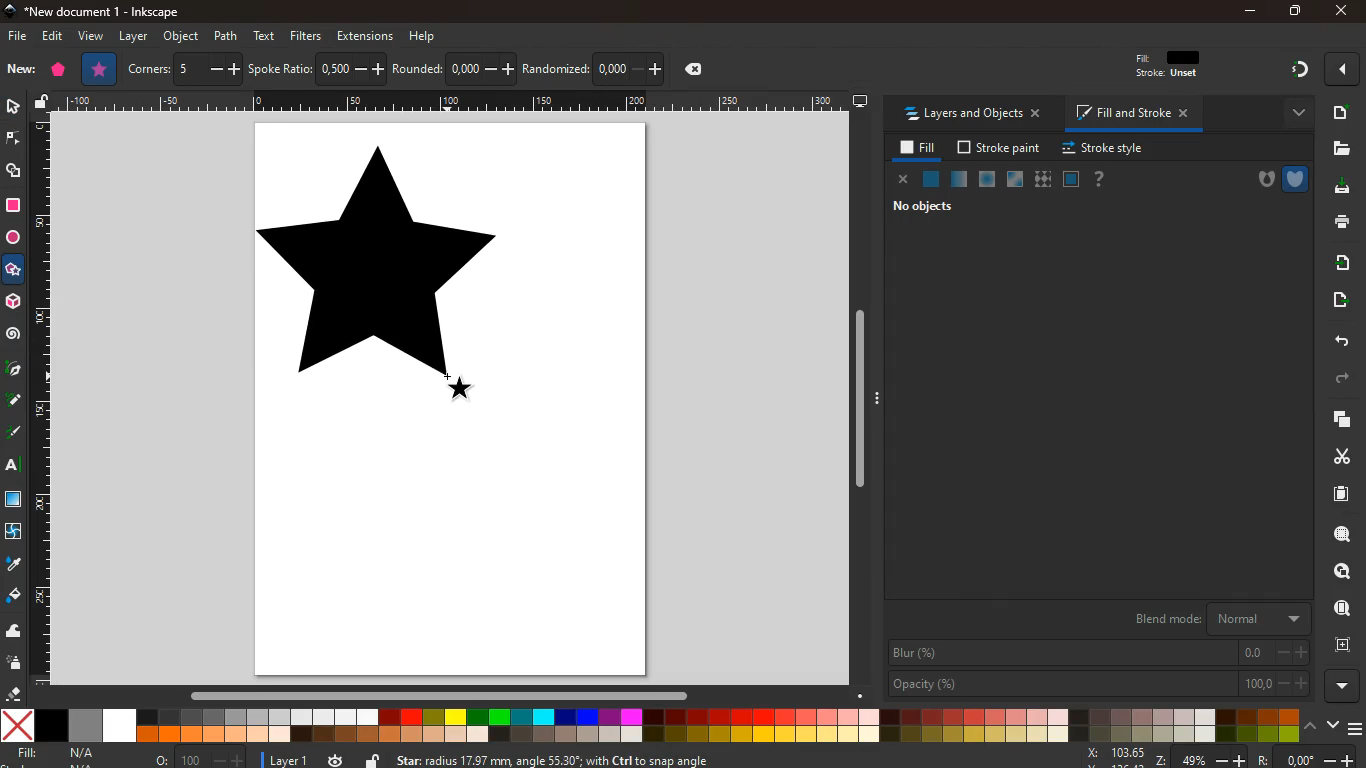  I want to click on no objects, so click(925, 206).